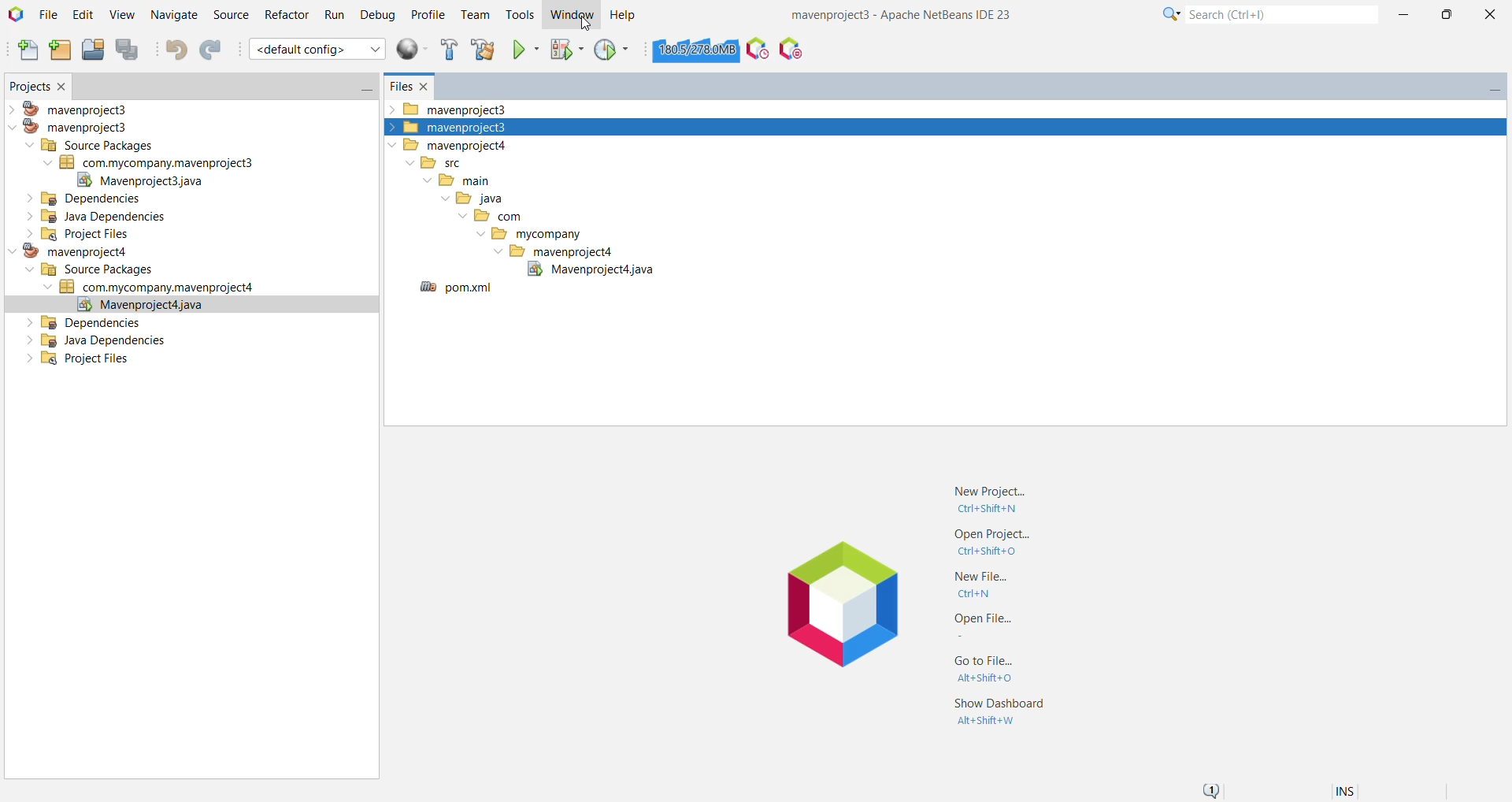 Image resolution: width=1512 pixels, height=802 pixels. Describe the element at coordinates (526, 50) in the screenshot. I see `Run Project` at that location.